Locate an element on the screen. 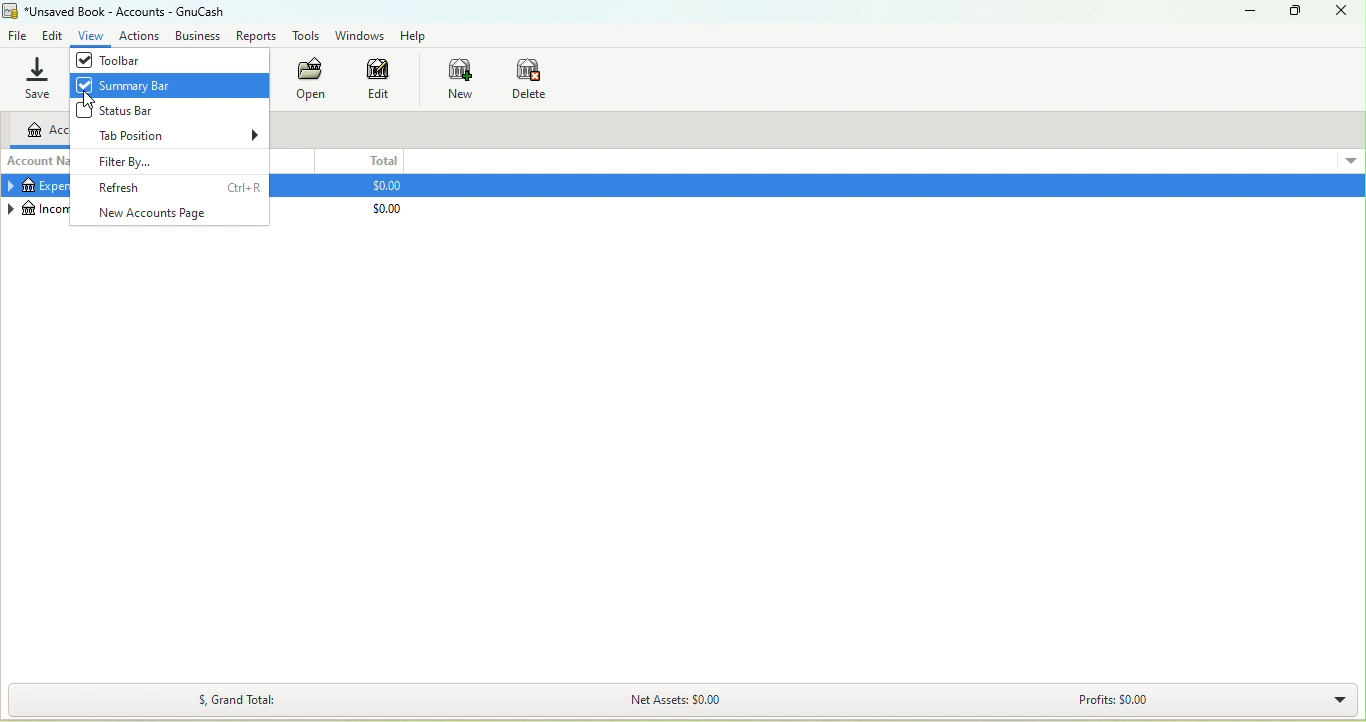 The width and height of the screenshot is (1366, 722). Total is located at coordinates (358, 161).